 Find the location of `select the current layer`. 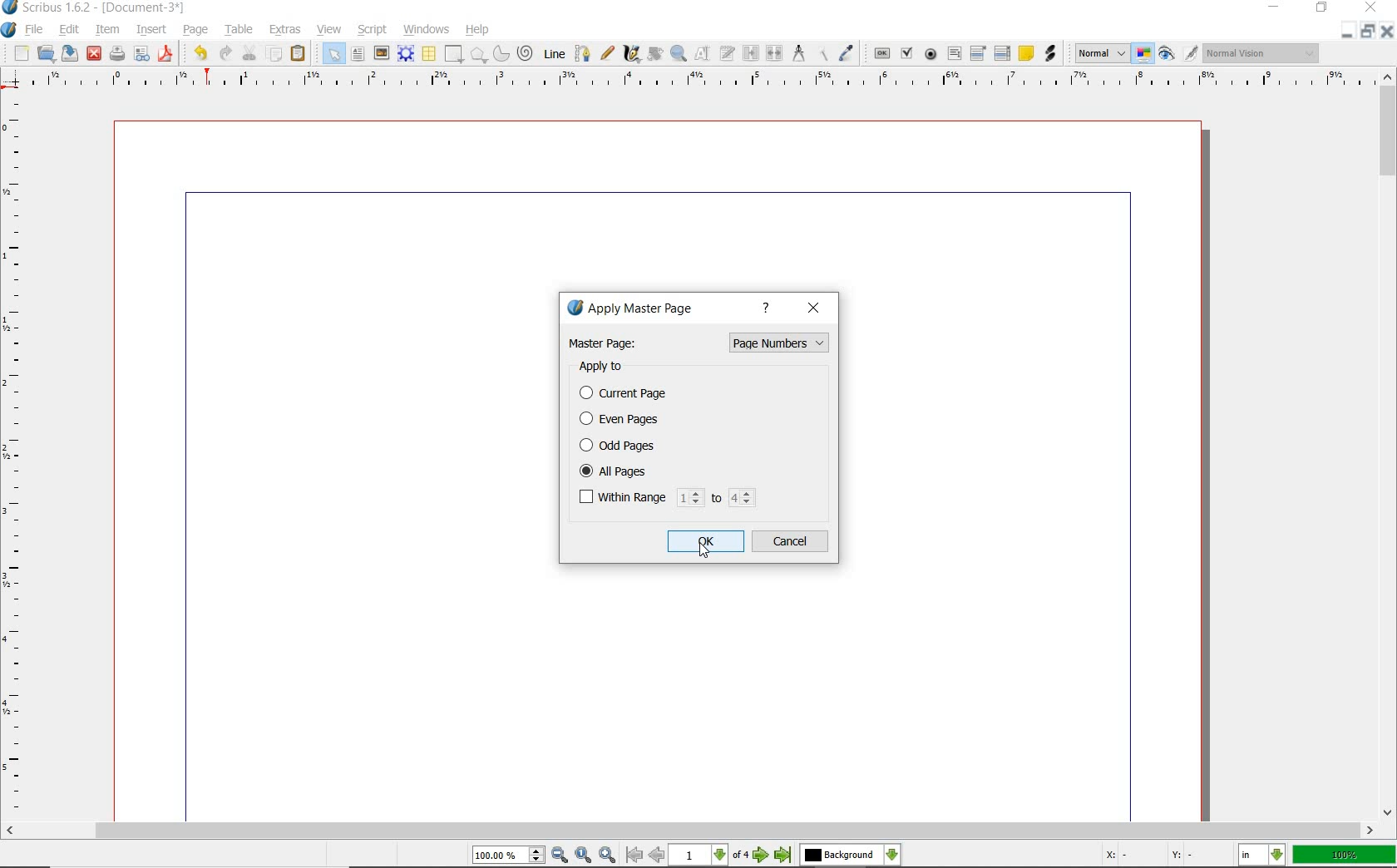

select the current layer is located at coordinates (848, 856).